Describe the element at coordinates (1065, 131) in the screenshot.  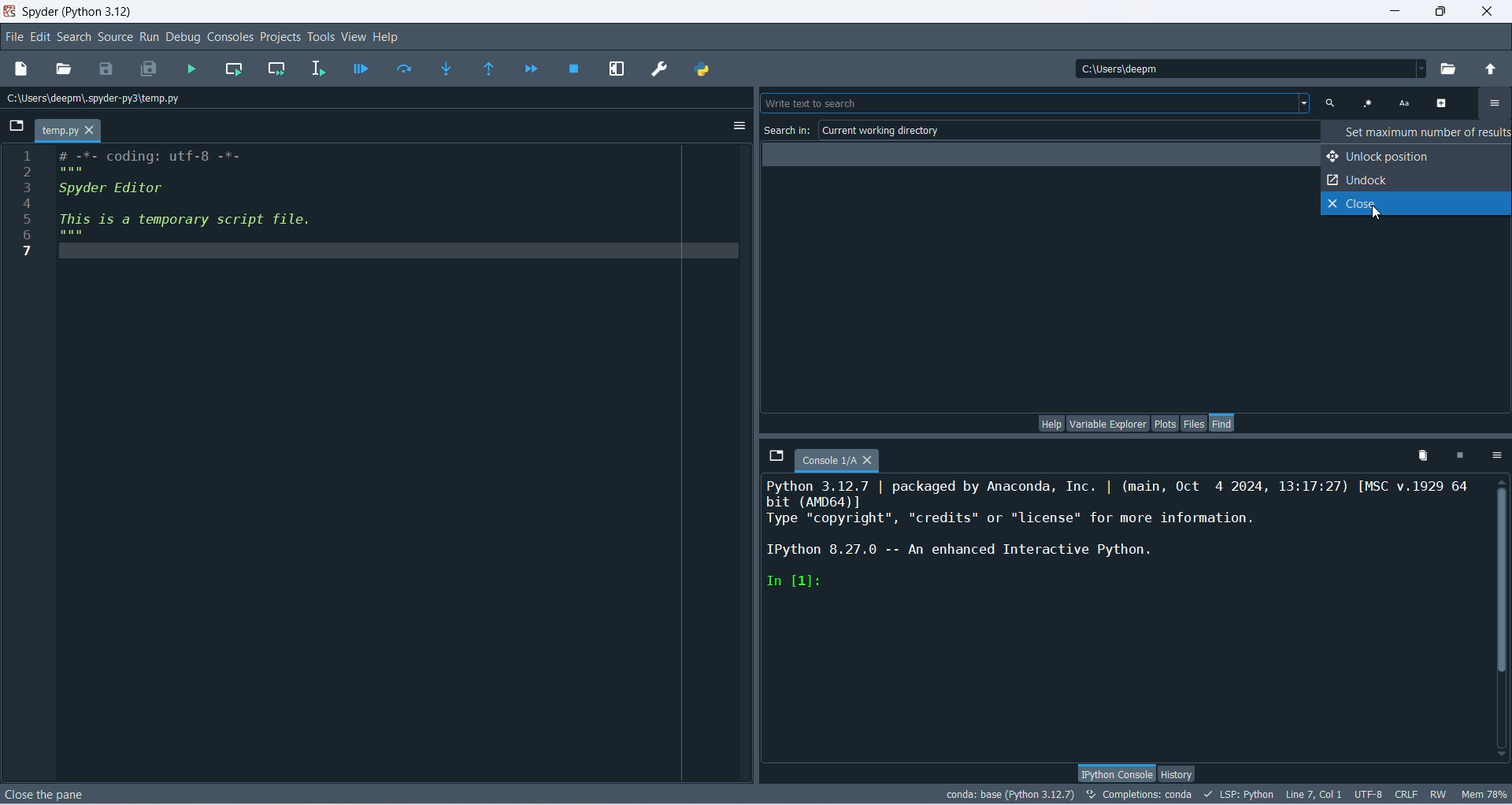
I see `current working directory` at that location.